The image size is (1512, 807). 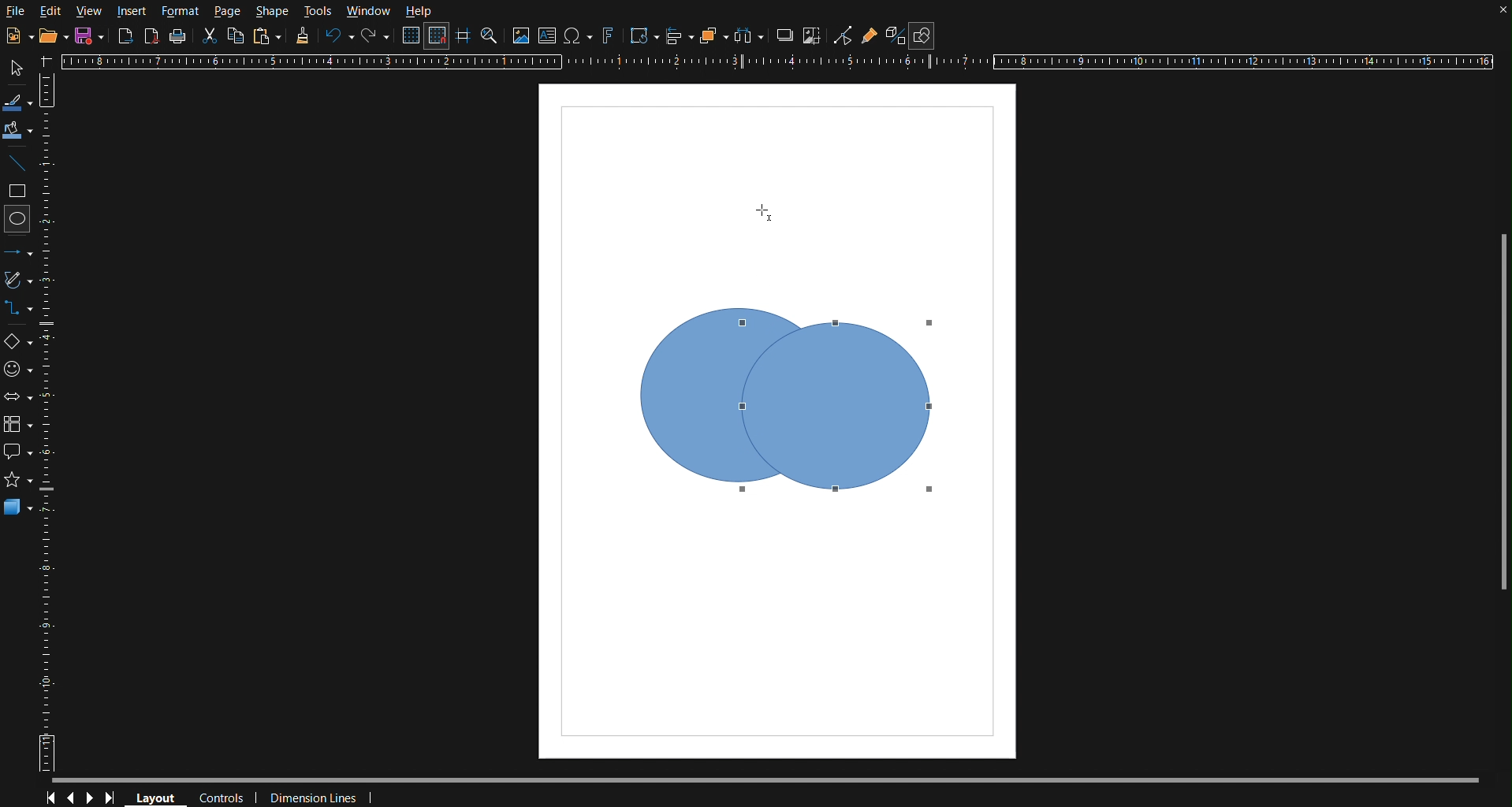 I want to click on Export as PDF, so click(x=153, y=37).